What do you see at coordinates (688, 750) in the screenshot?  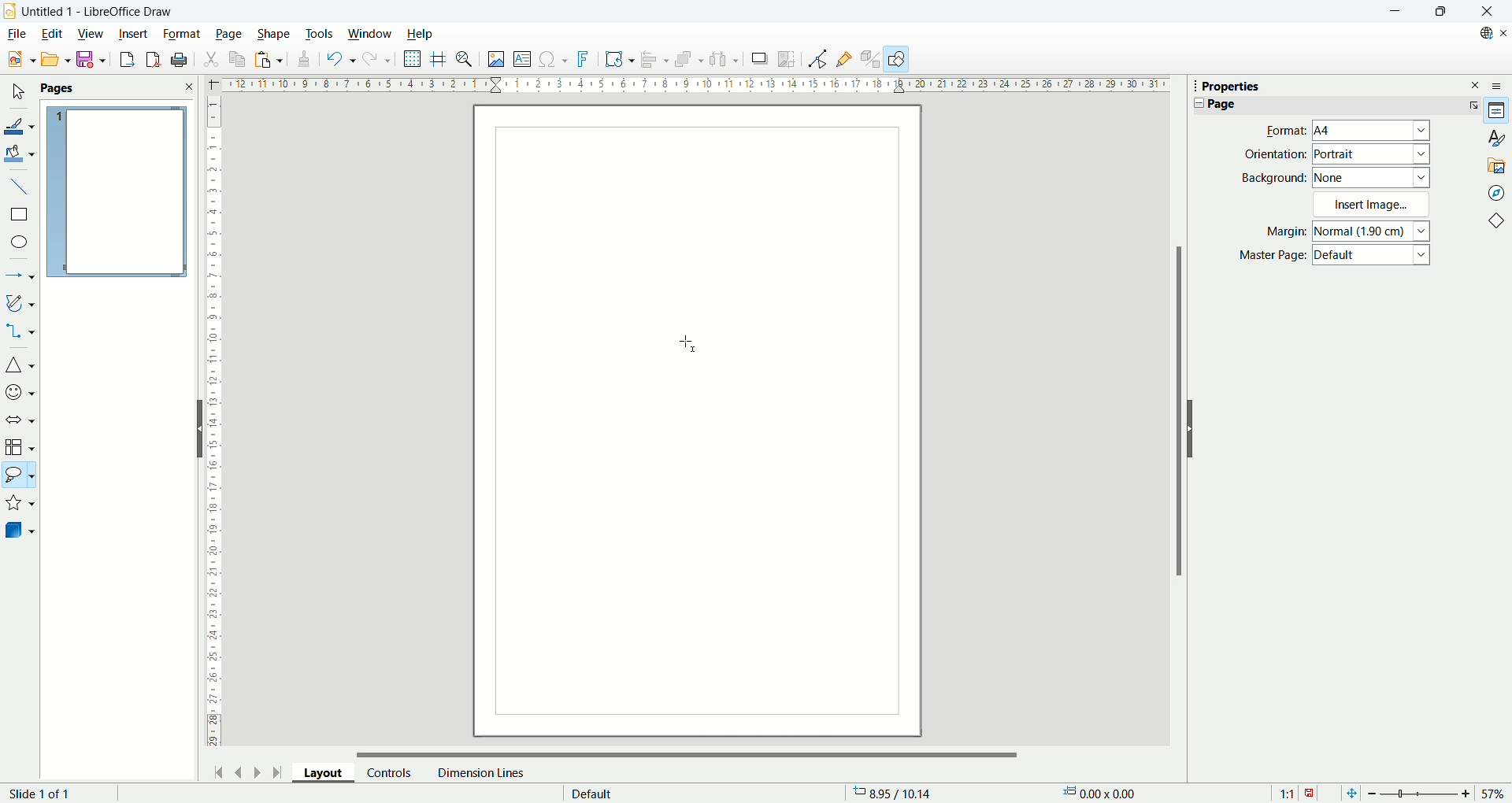 I see `Horizontal scroll bar` at bounding box center [688, 750].